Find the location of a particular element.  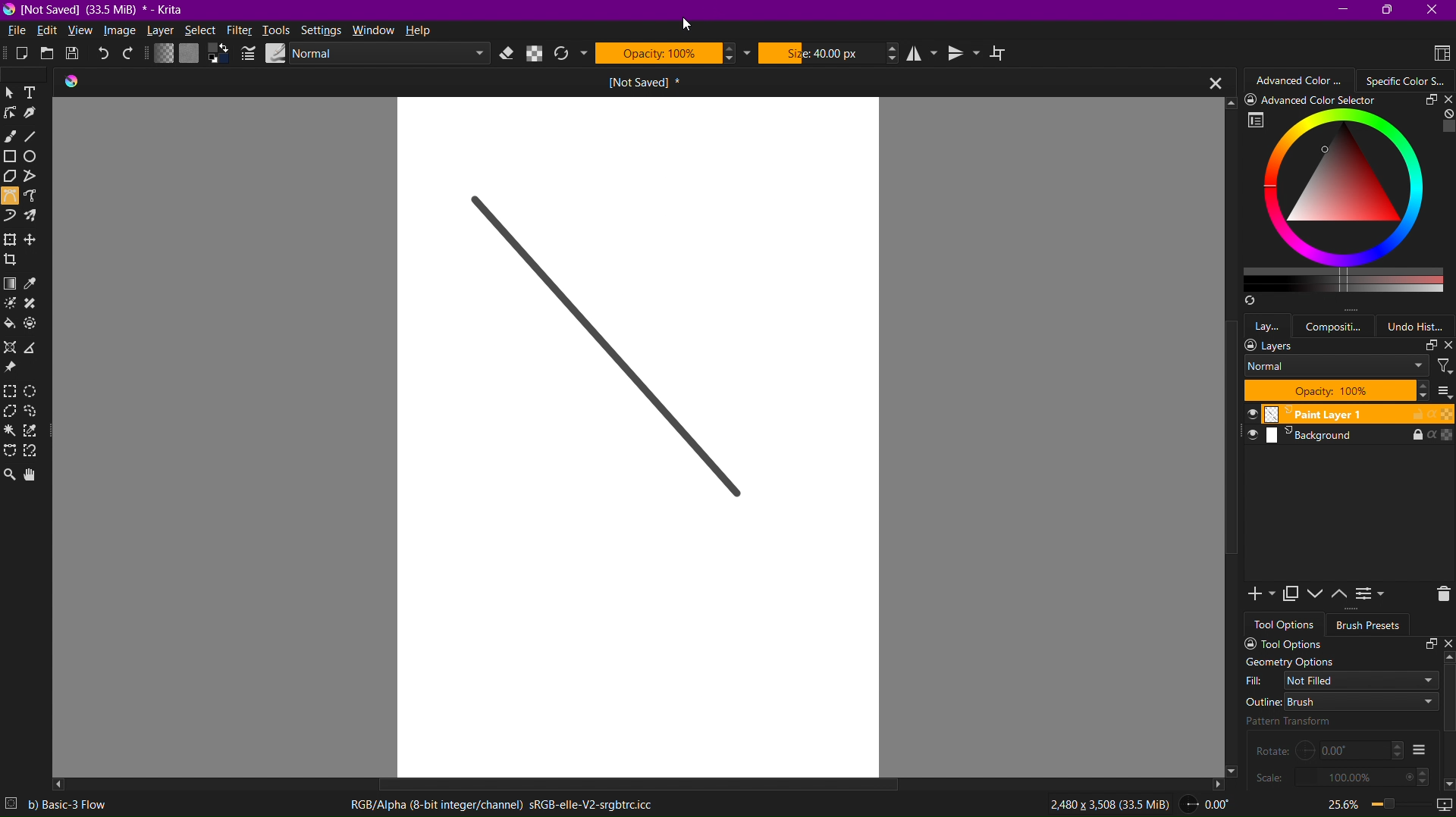

Up is located at coordinates (1447, 658).